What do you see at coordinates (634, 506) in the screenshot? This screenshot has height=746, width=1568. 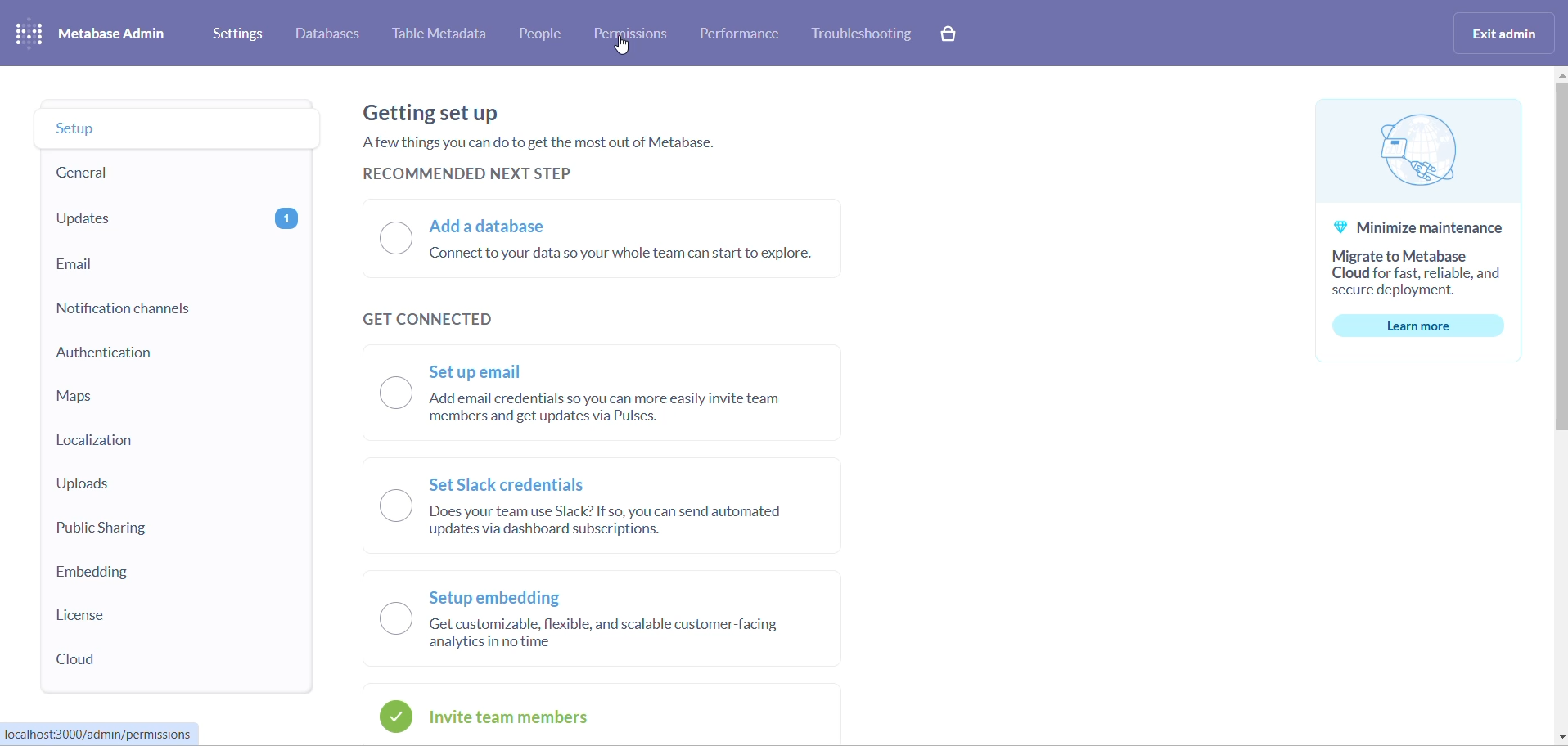 I see `set slack credential radio button` at bounding box center [634, 506].